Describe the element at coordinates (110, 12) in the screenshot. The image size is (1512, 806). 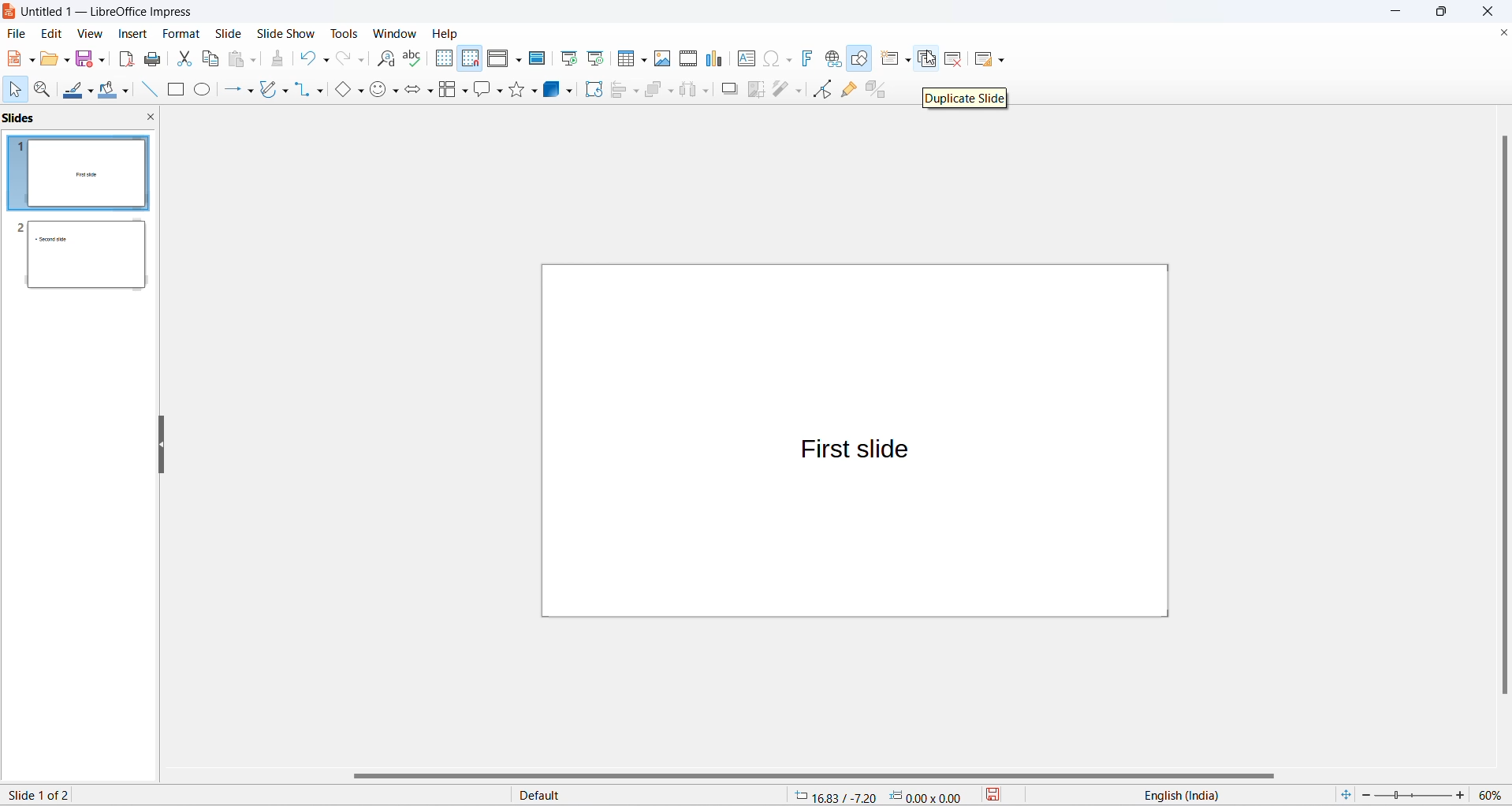
I see `file title` at that location.